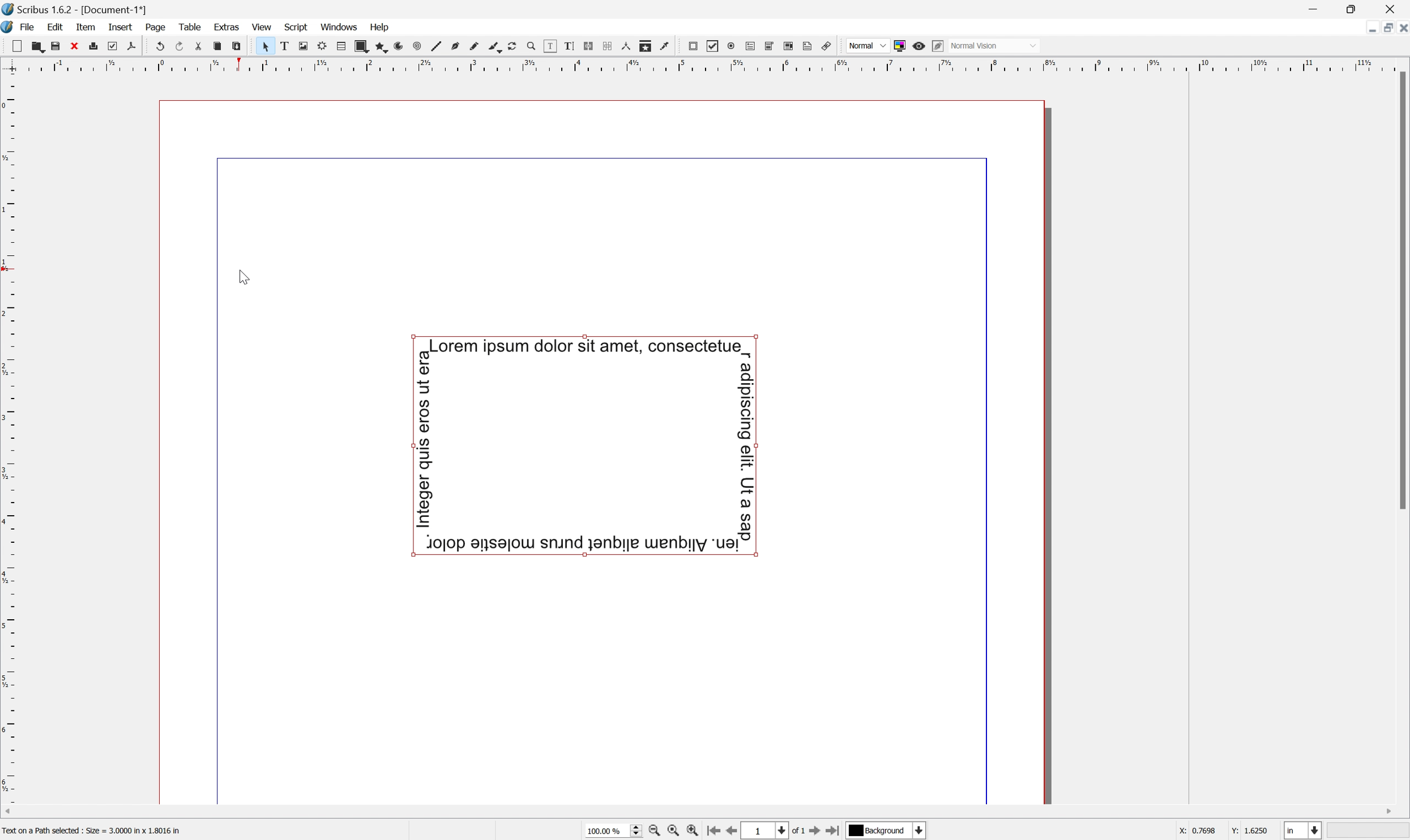  I want to click on Print, so click(93, 46).